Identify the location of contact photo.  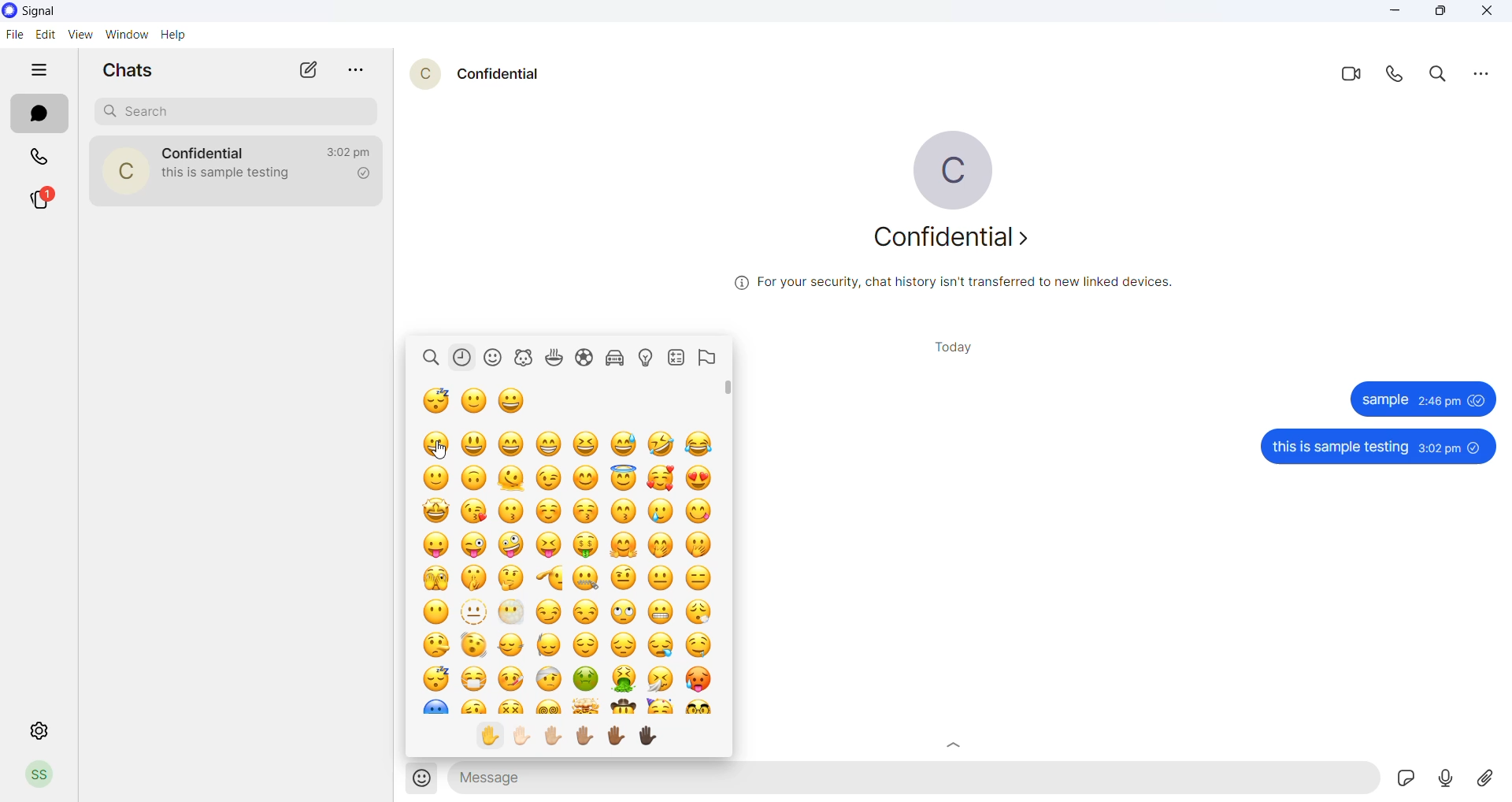
(124, 171).